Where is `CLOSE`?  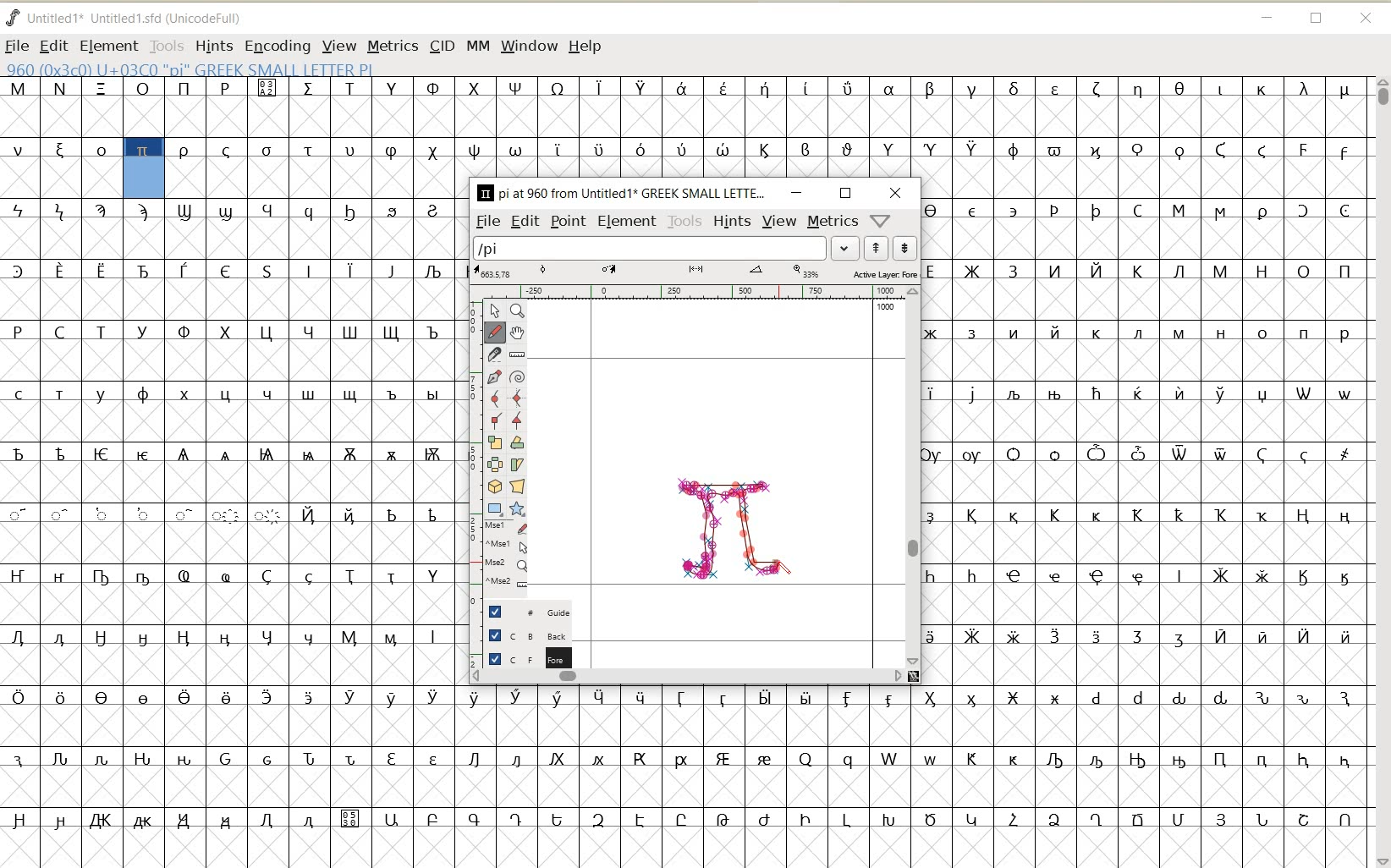 CLOSE is located at coordinates (1369, 19).